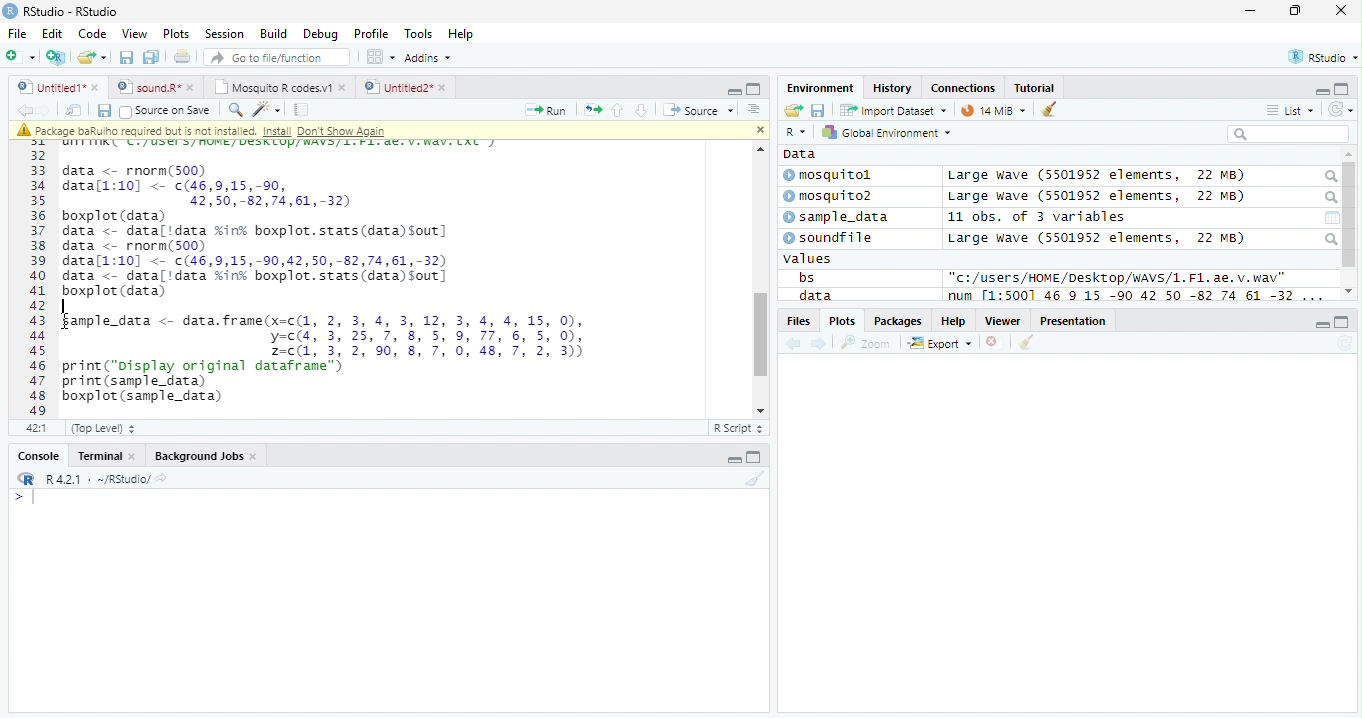 The image size is (1362, 718). Describe the element at coordinates (899, 321) in the screenshot. I see `Packages` at that location.